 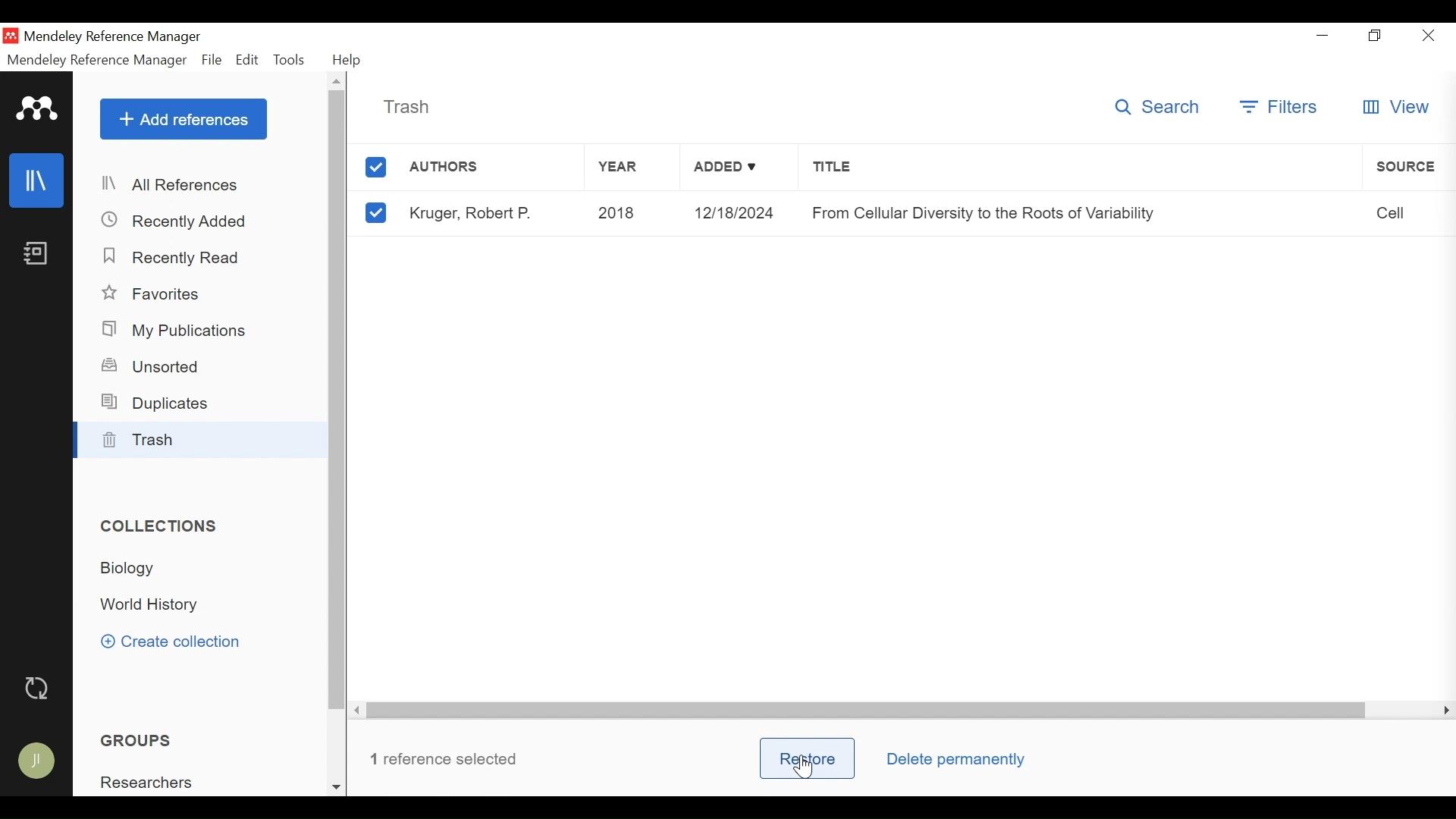 I want to click on Tools, so click(x=290, y=60).